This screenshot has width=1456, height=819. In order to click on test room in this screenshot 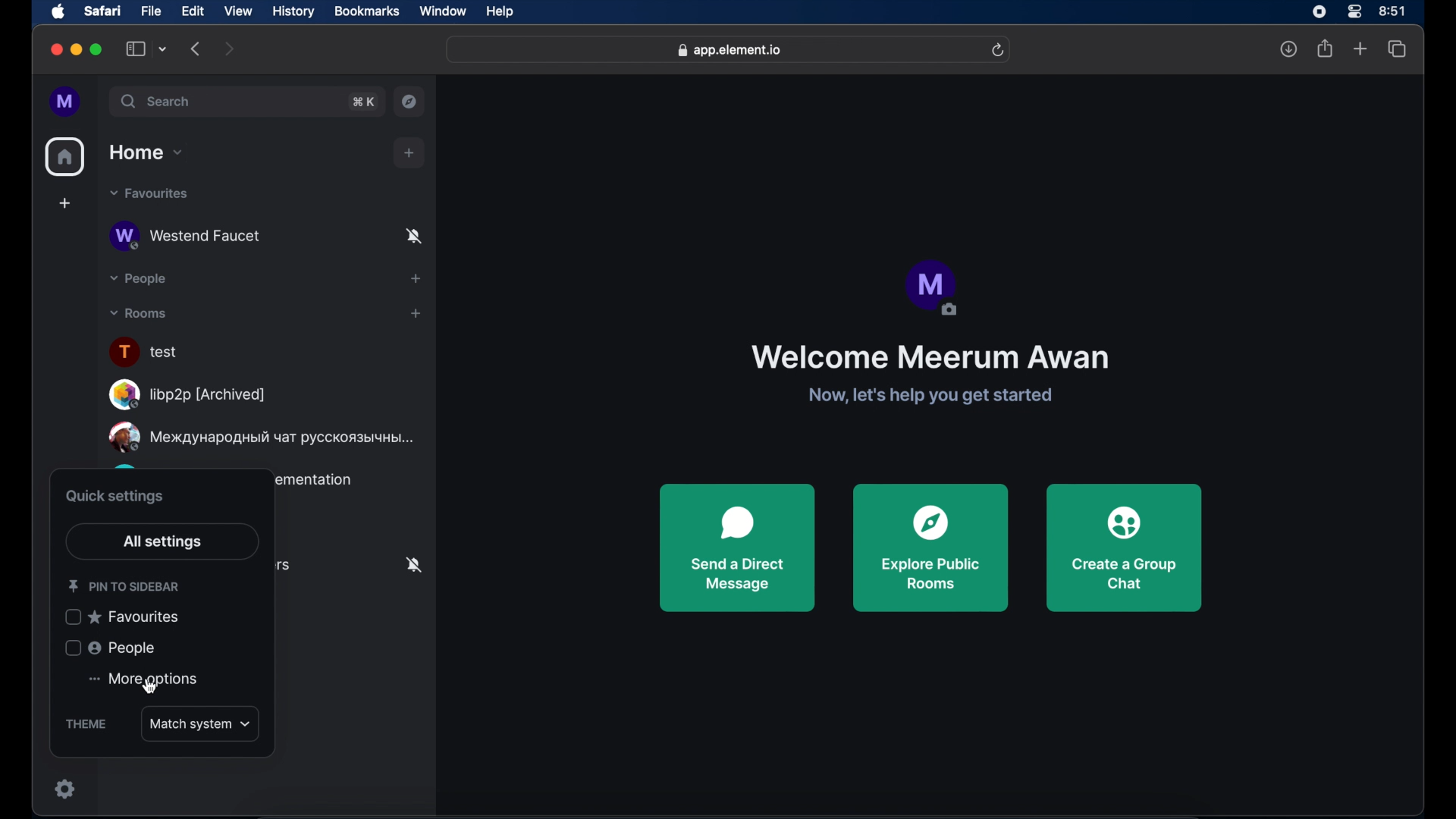, I will do `click(146, 352)`.